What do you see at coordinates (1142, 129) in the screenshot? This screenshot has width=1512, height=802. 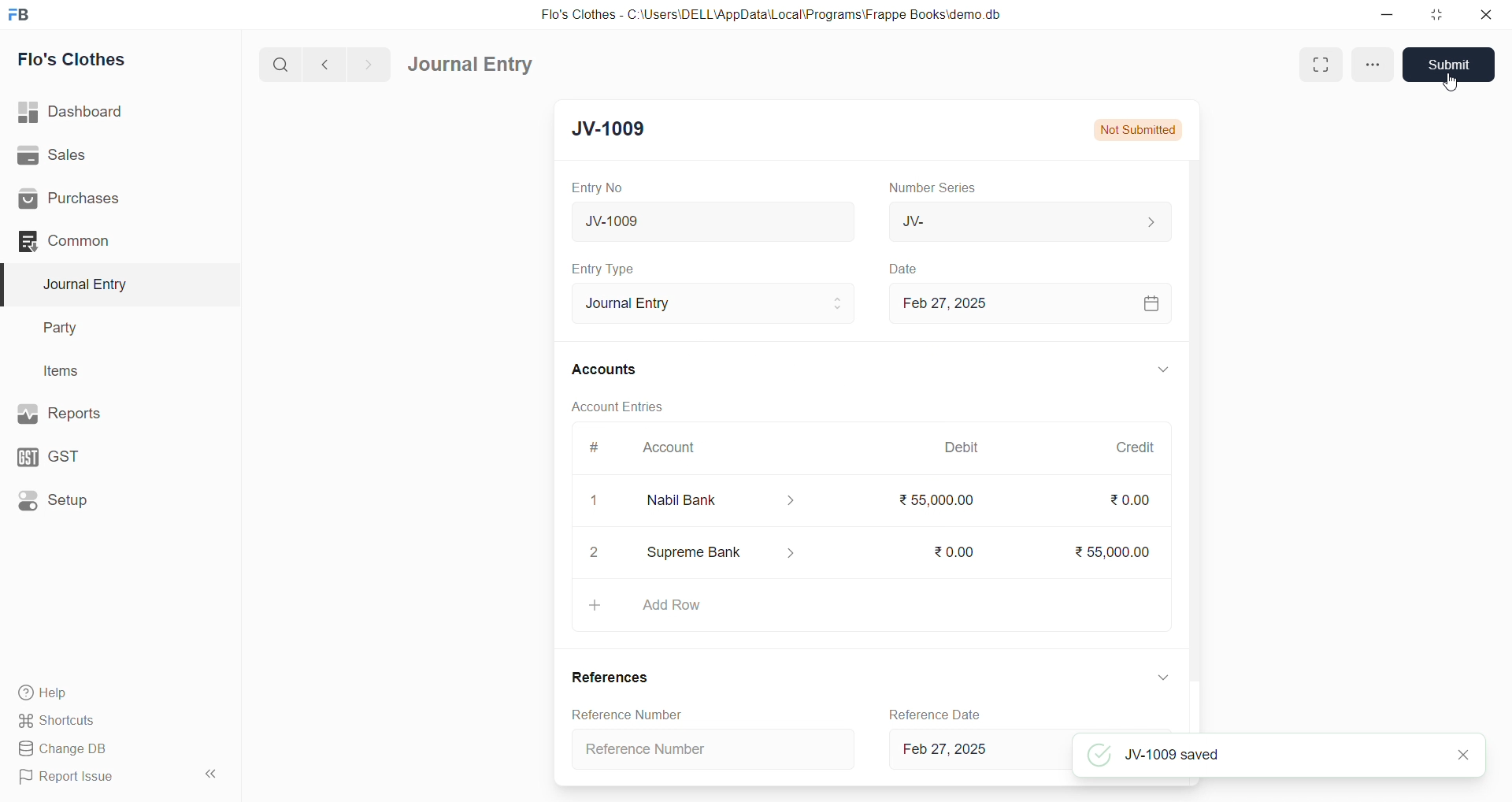 I see `Not Submitted` at bounding box center [1142, 129].